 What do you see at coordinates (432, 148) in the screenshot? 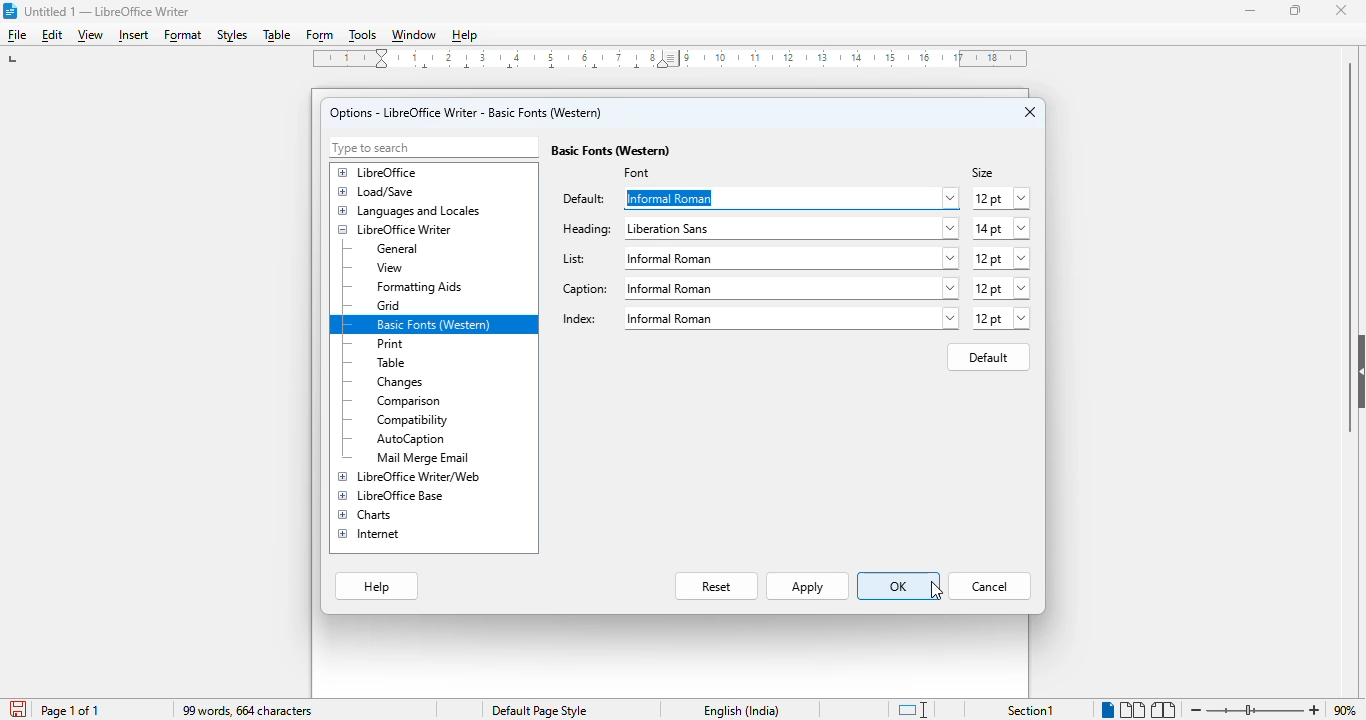
I see `type to search` at bounding box center [432, 148].